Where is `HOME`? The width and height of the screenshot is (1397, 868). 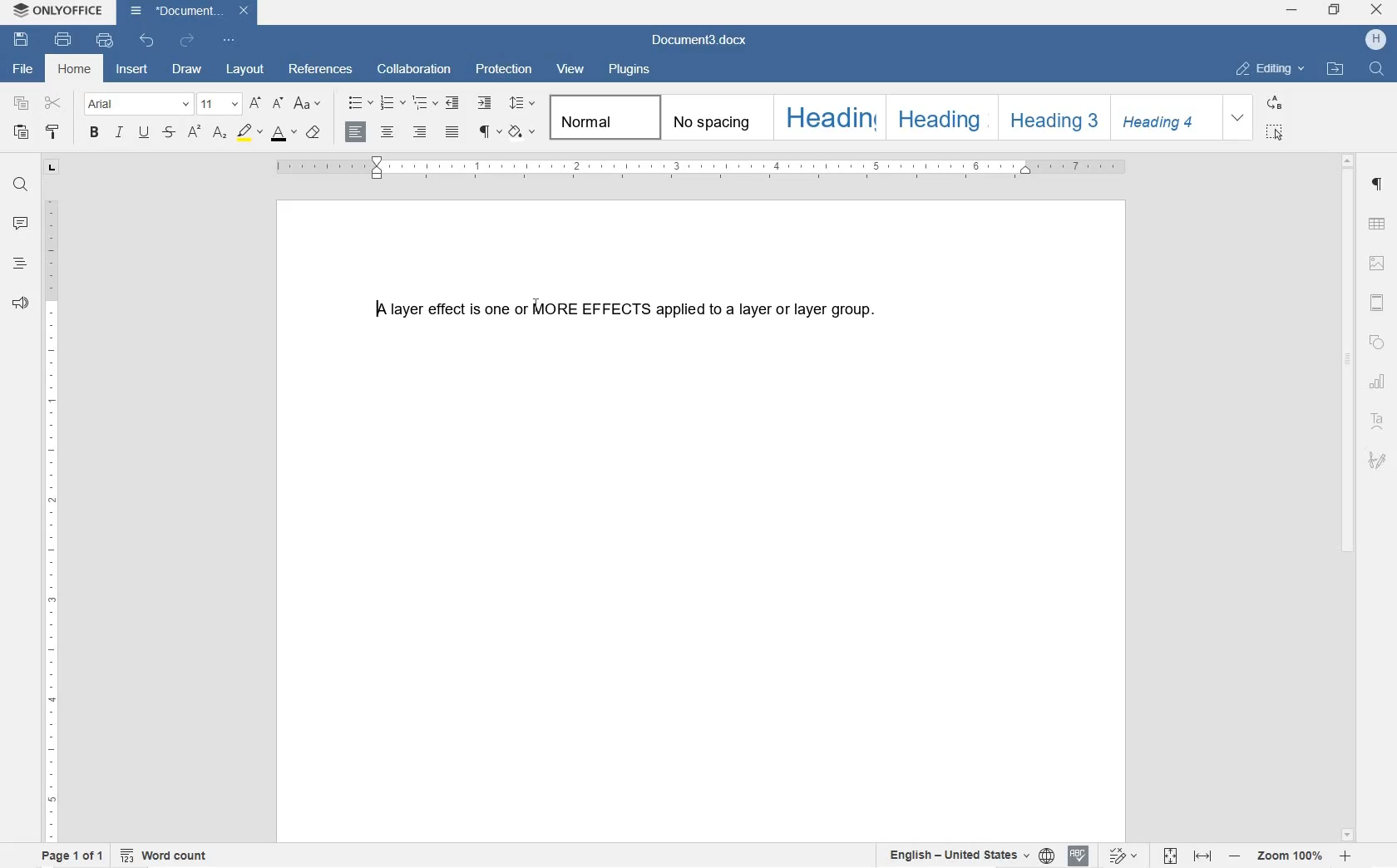
HOME is located at coordinates (77, 70).